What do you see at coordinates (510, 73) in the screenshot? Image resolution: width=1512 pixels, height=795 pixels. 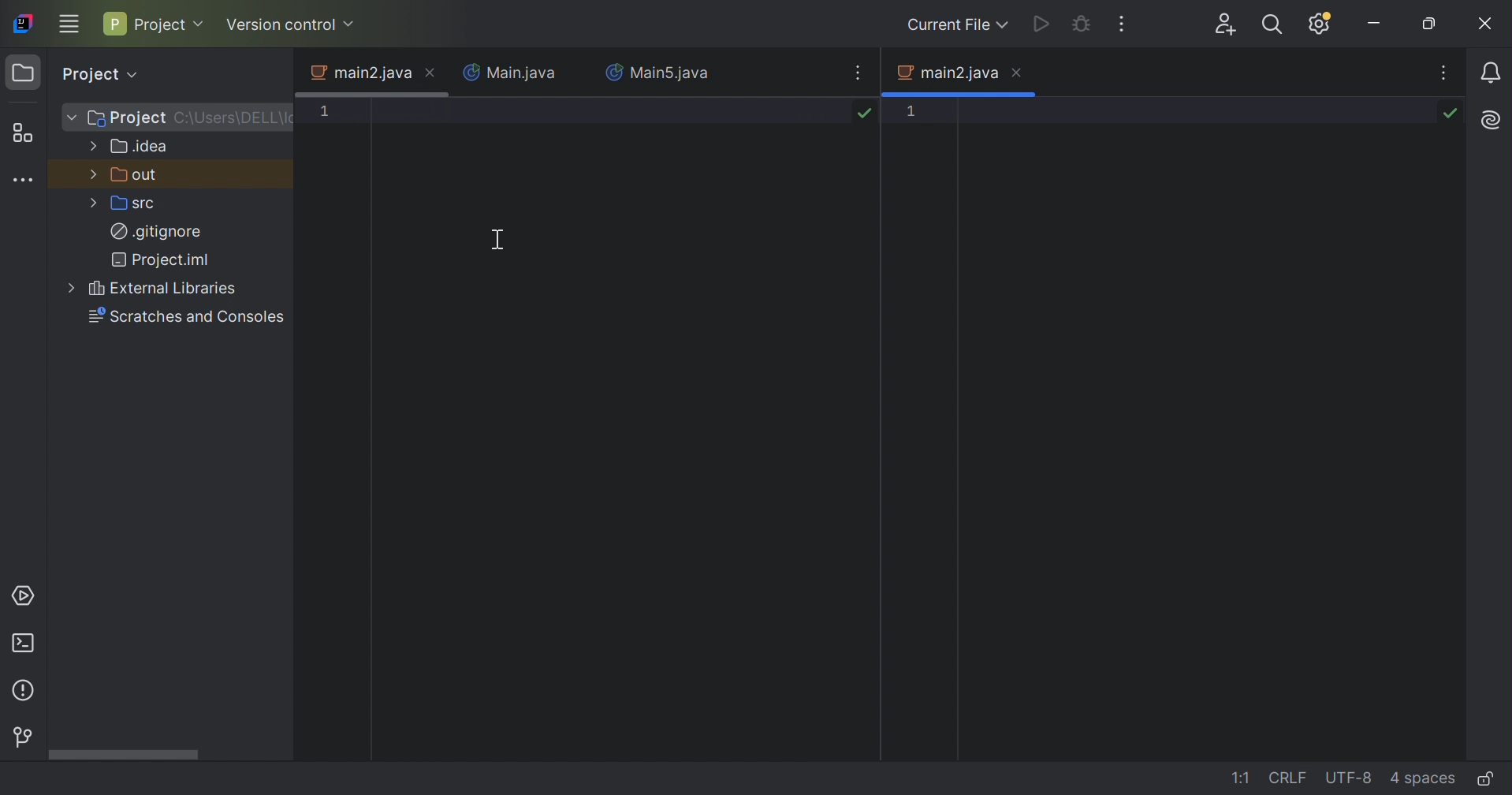 I see `Main.java` at bounding box center [510, 73].